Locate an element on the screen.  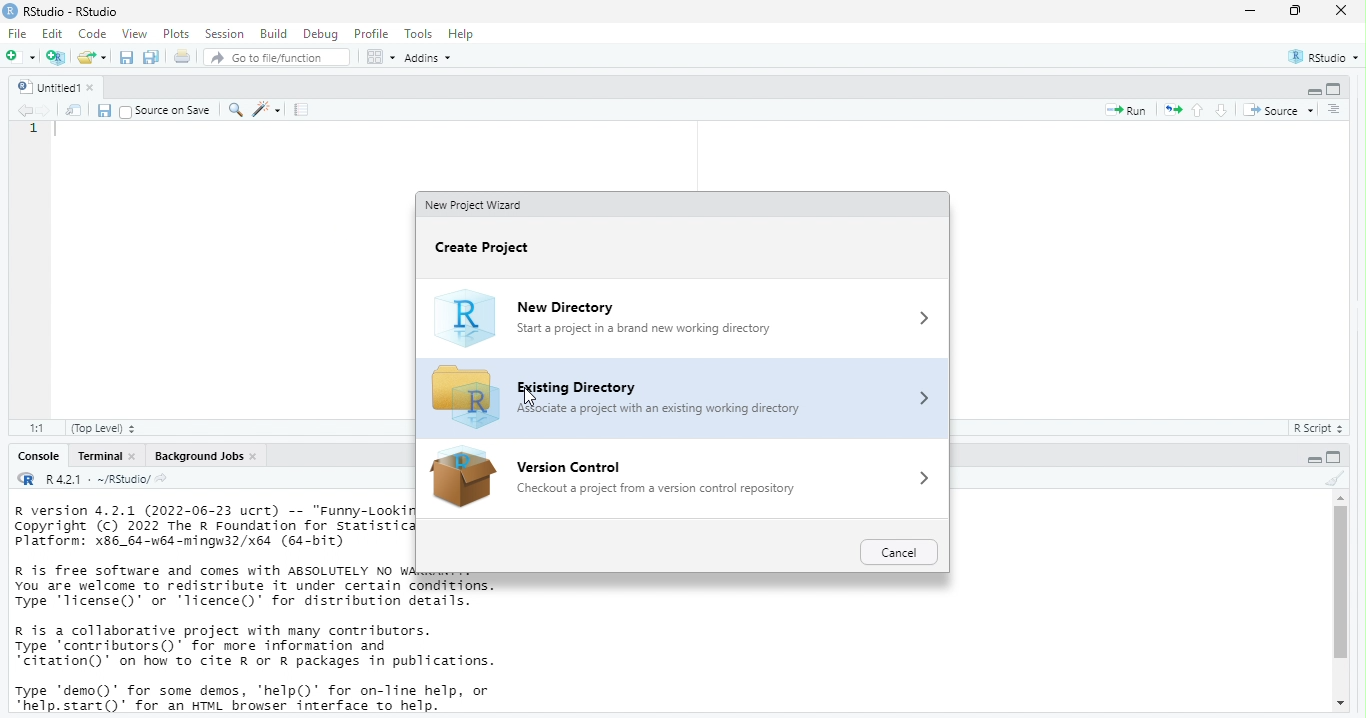
source the contents of the active document is located at coordinates (1282, 111).